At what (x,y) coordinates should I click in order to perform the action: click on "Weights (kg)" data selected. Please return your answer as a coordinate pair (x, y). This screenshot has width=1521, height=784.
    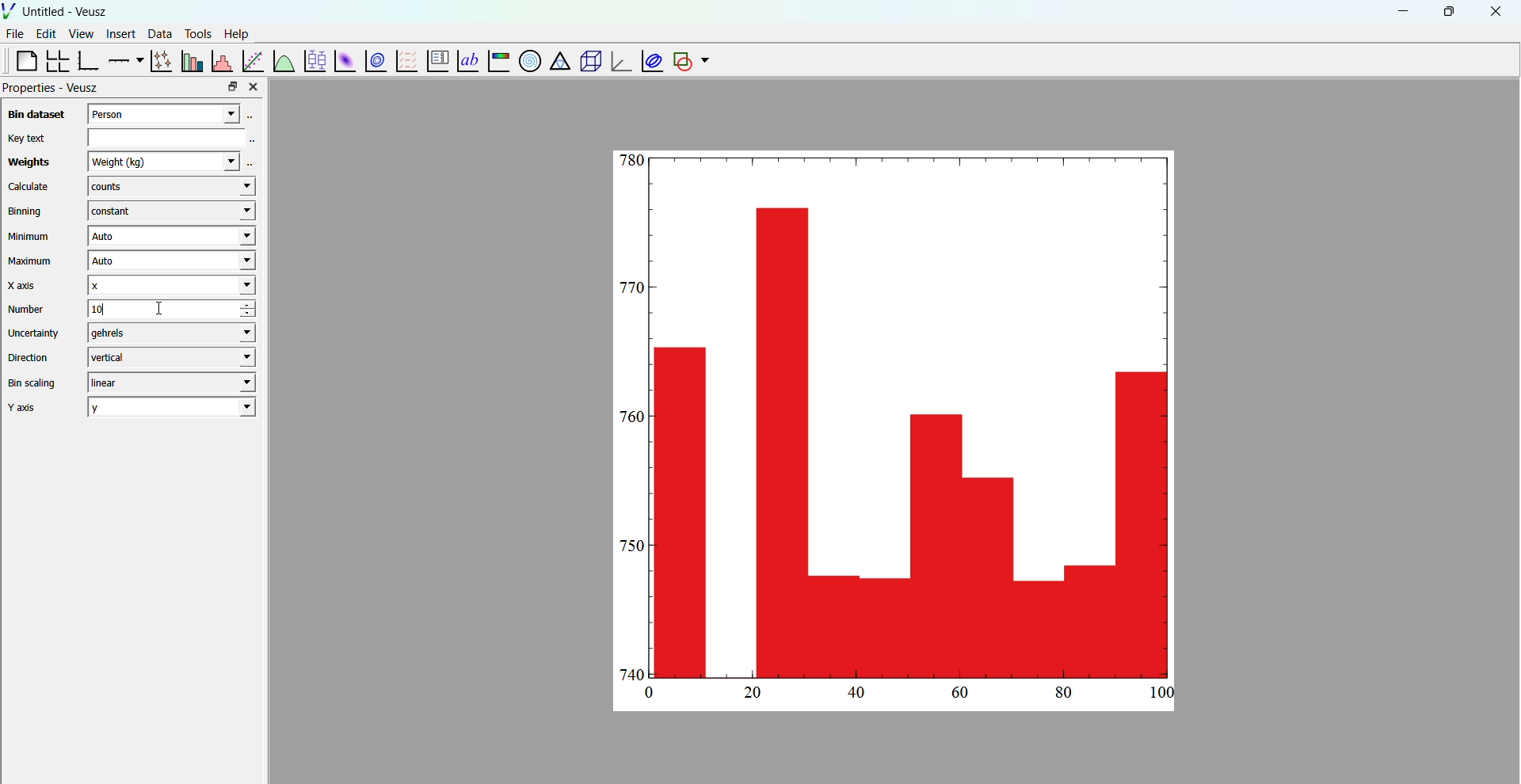
    Looking at the image, I should click on (171, 161).